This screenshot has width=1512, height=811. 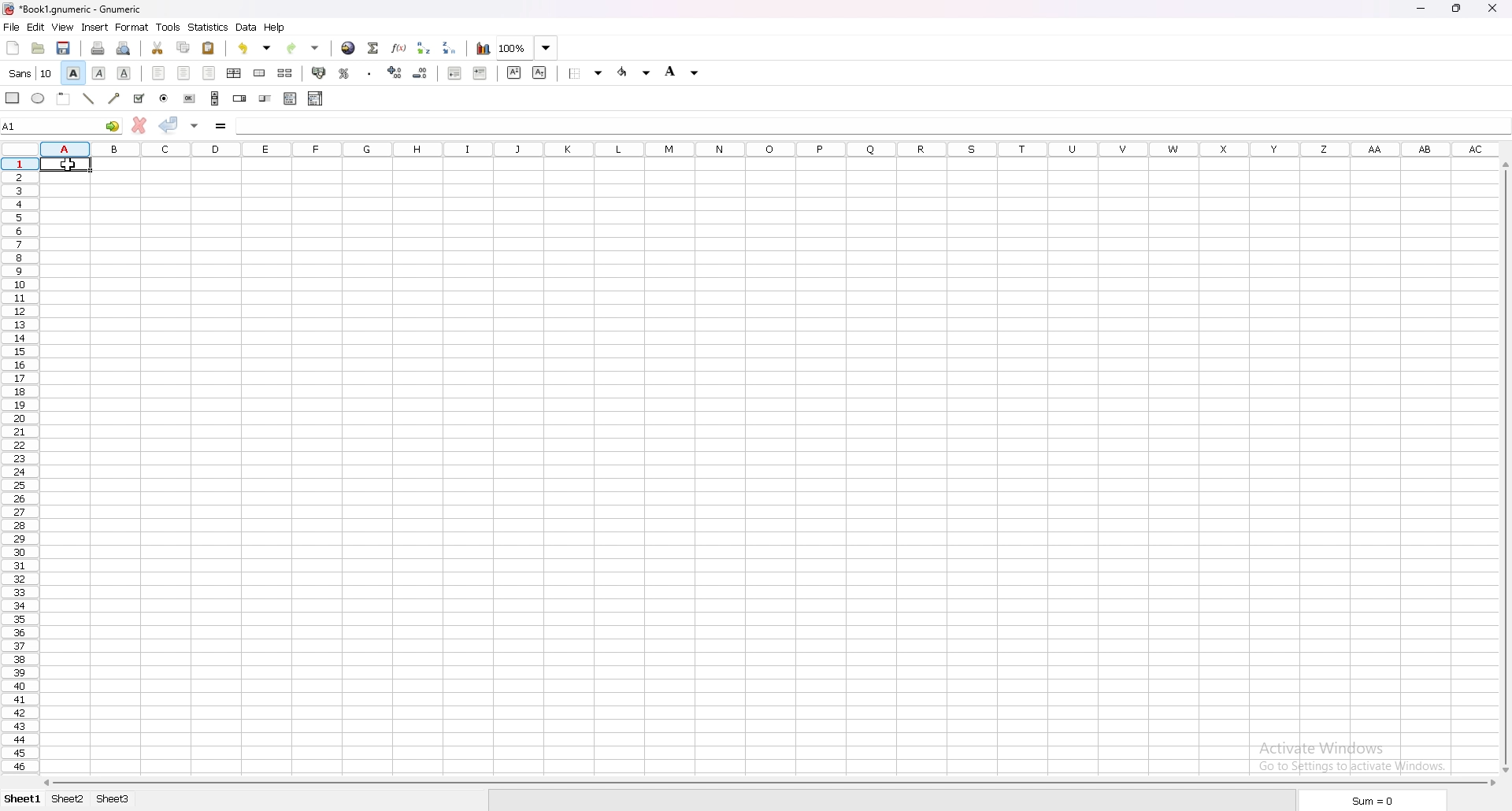 What do you see at coordinates (39, 48) in the screenshot?
I see `open` at bounding box center [39, 48].